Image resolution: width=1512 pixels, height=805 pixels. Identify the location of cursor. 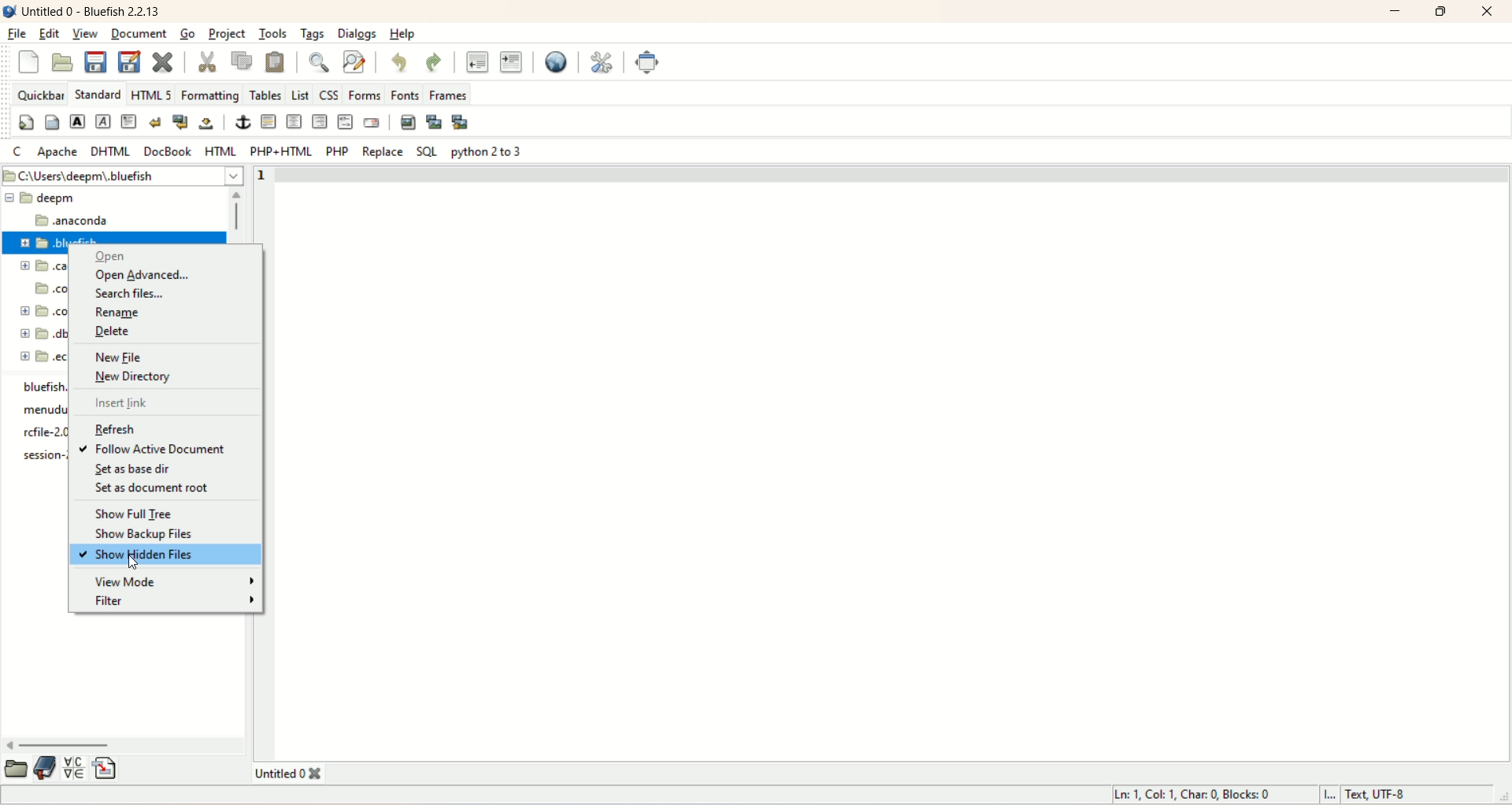
(136, 563).